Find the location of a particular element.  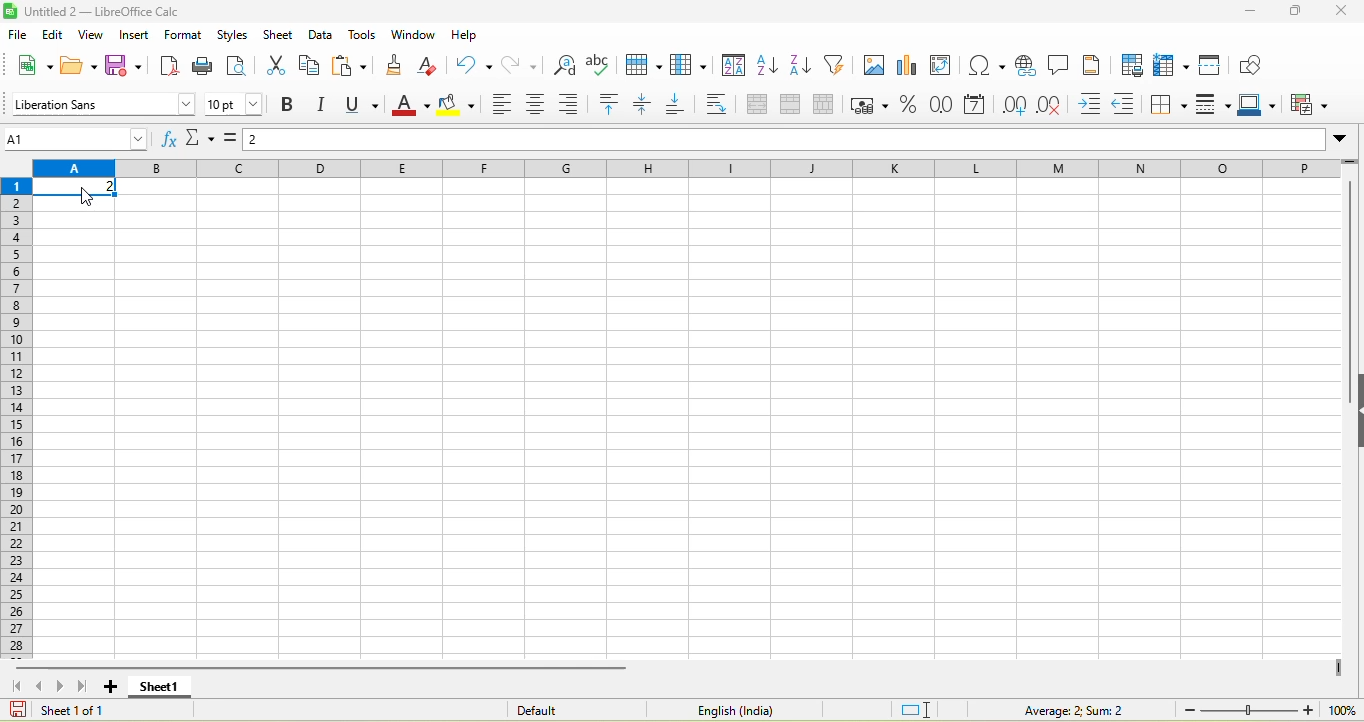

split window is located at coordinates (1214, 64).